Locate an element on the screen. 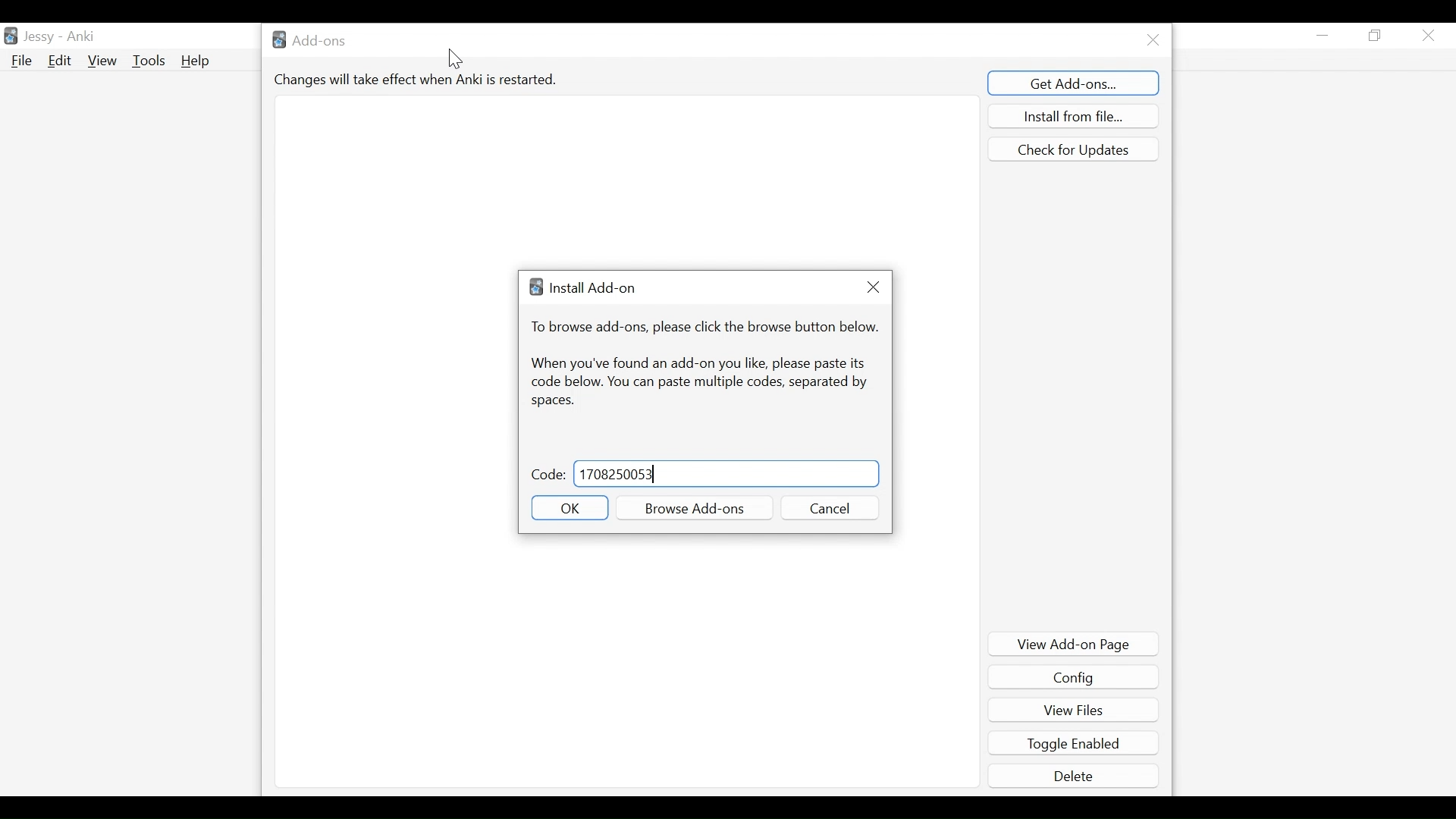  Close is located at coordinates (1428, 36).